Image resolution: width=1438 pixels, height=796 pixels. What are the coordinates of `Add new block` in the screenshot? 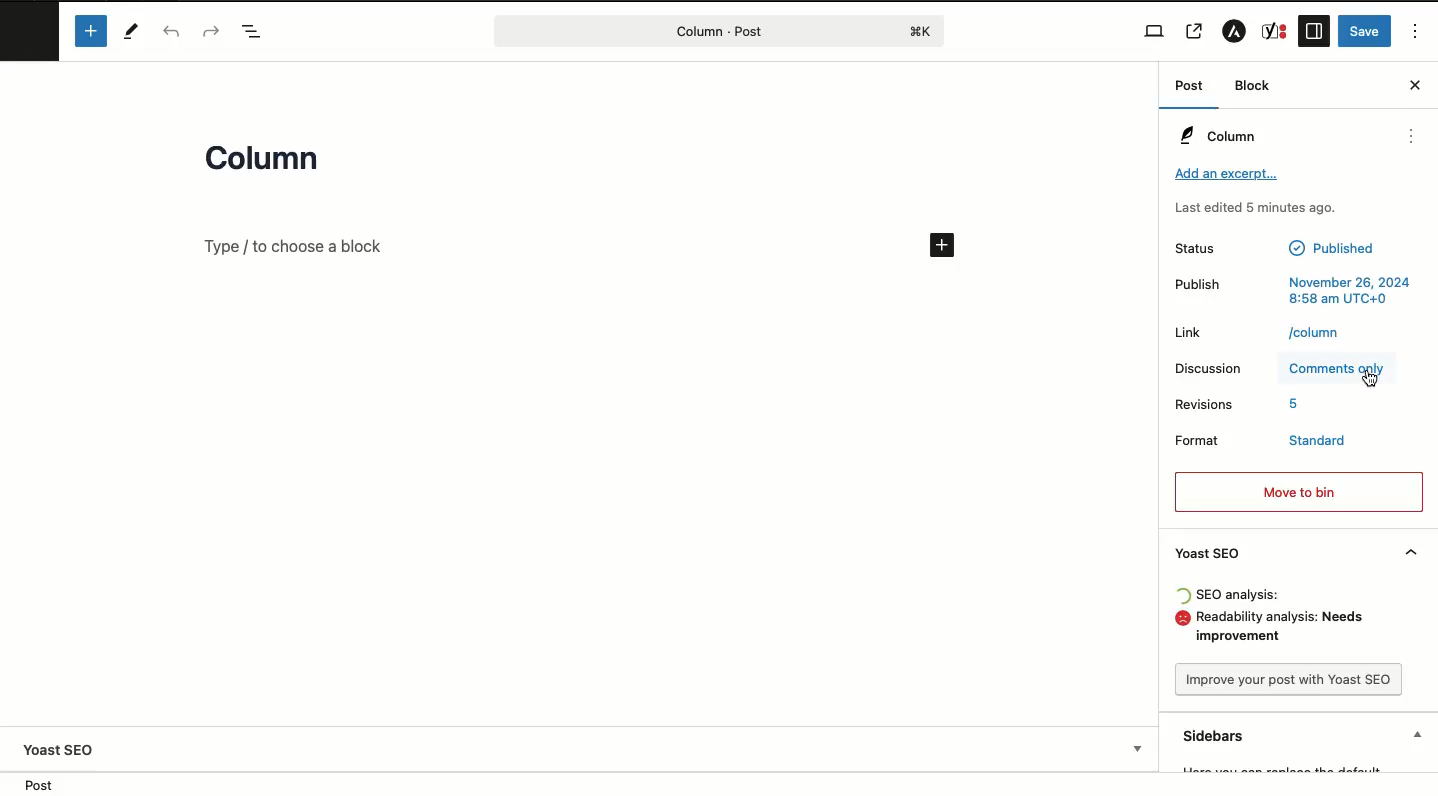 It's located at (294, 246).